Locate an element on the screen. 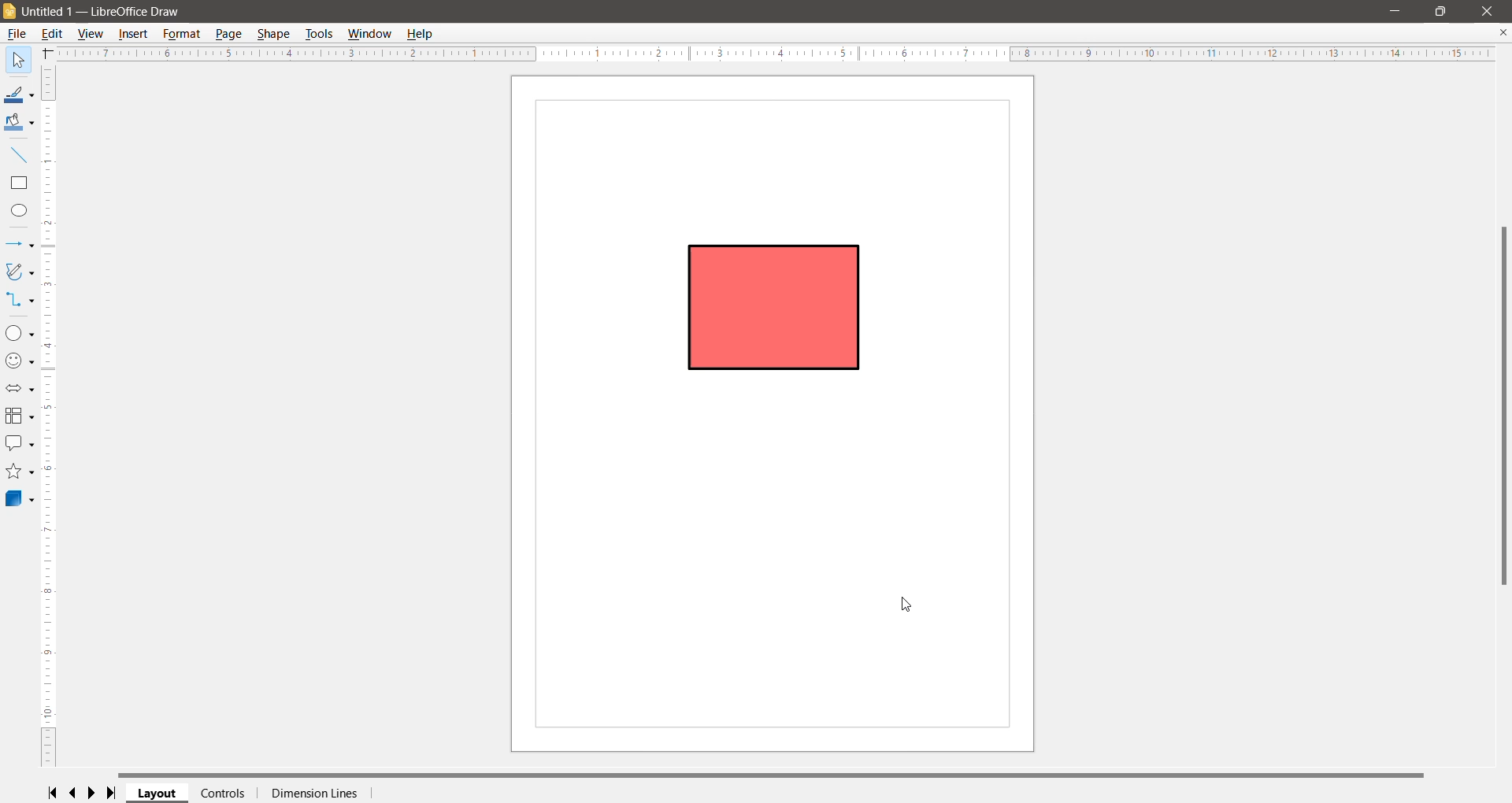  Close is located at coordinates (1488, 12).